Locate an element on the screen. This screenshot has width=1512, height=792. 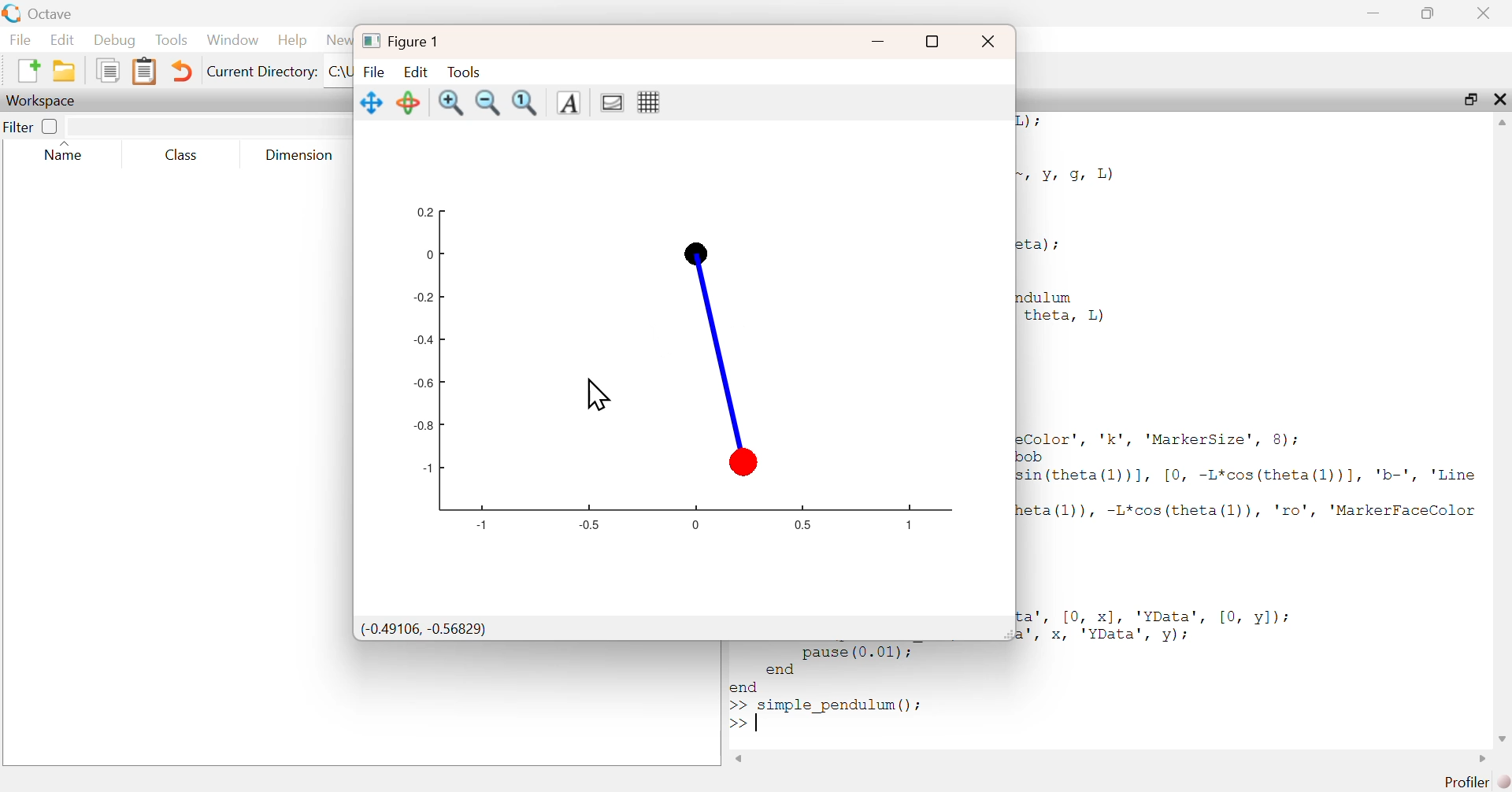
copy is located at coordinates (111, 69).